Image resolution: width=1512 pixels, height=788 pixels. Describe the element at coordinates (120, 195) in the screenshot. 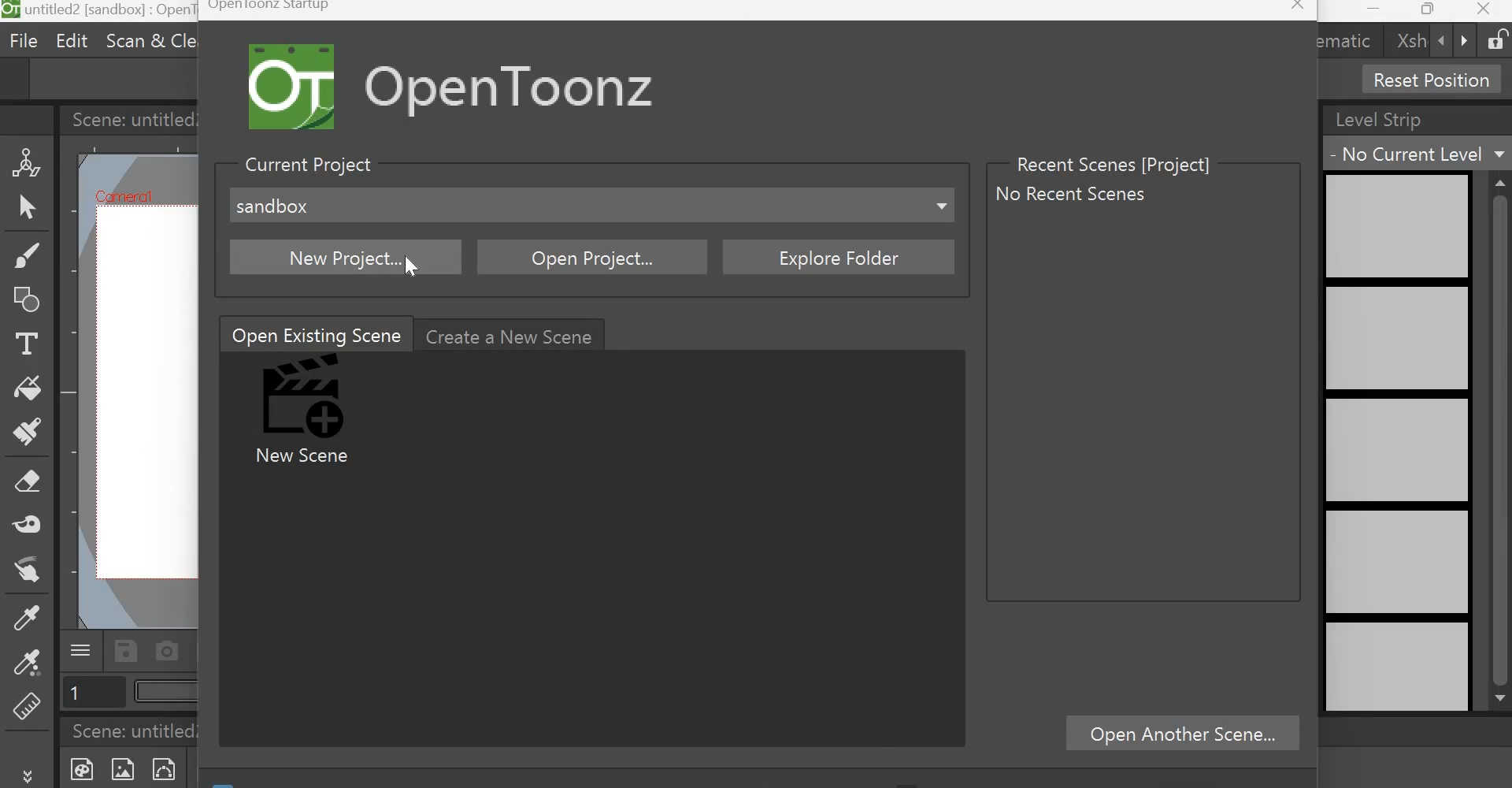

I see `Cafniercil` at that location.